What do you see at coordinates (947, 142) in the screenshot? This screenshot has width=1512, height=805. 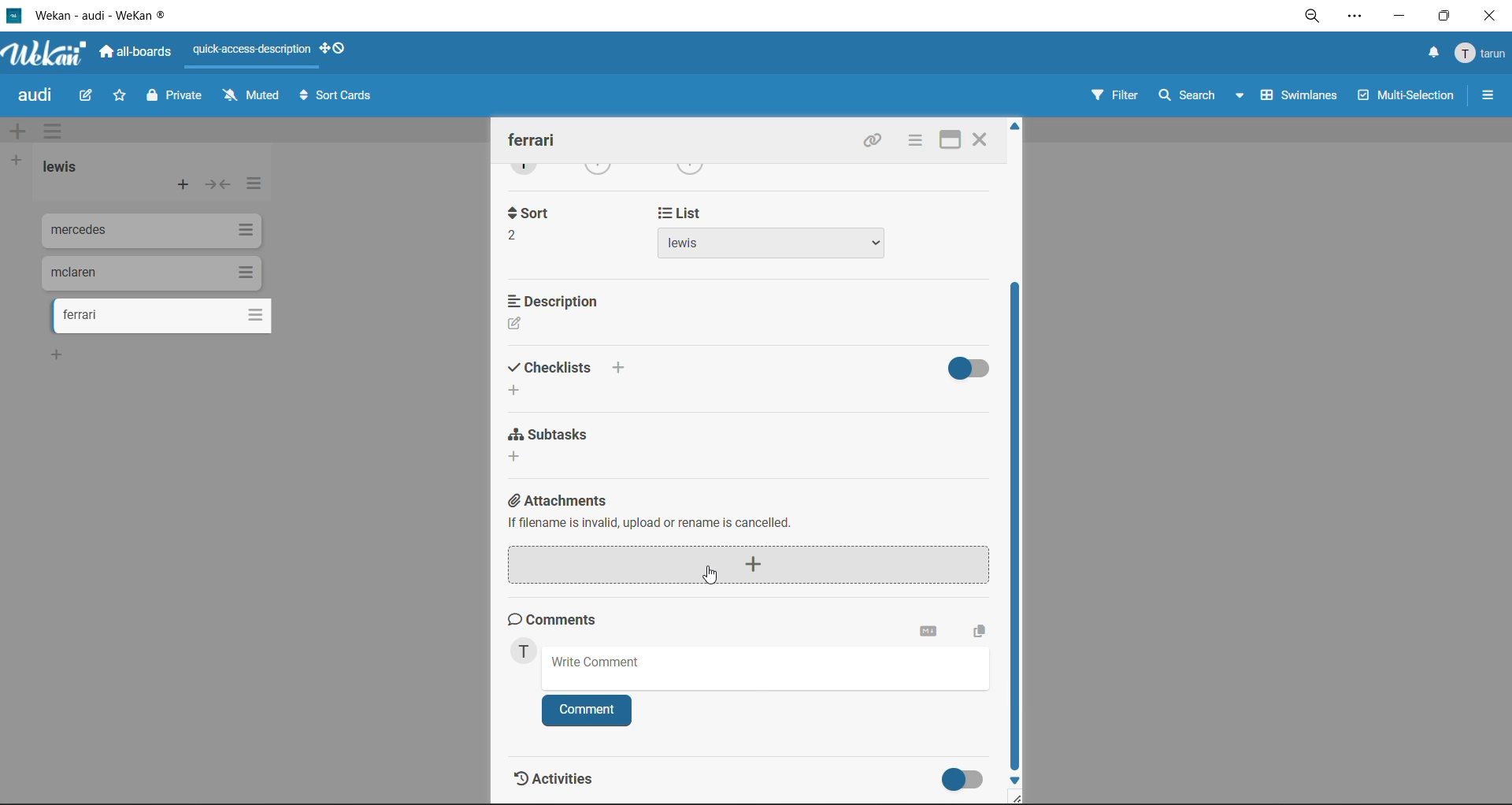 I see `maximize` at bounding box center [947, 142].